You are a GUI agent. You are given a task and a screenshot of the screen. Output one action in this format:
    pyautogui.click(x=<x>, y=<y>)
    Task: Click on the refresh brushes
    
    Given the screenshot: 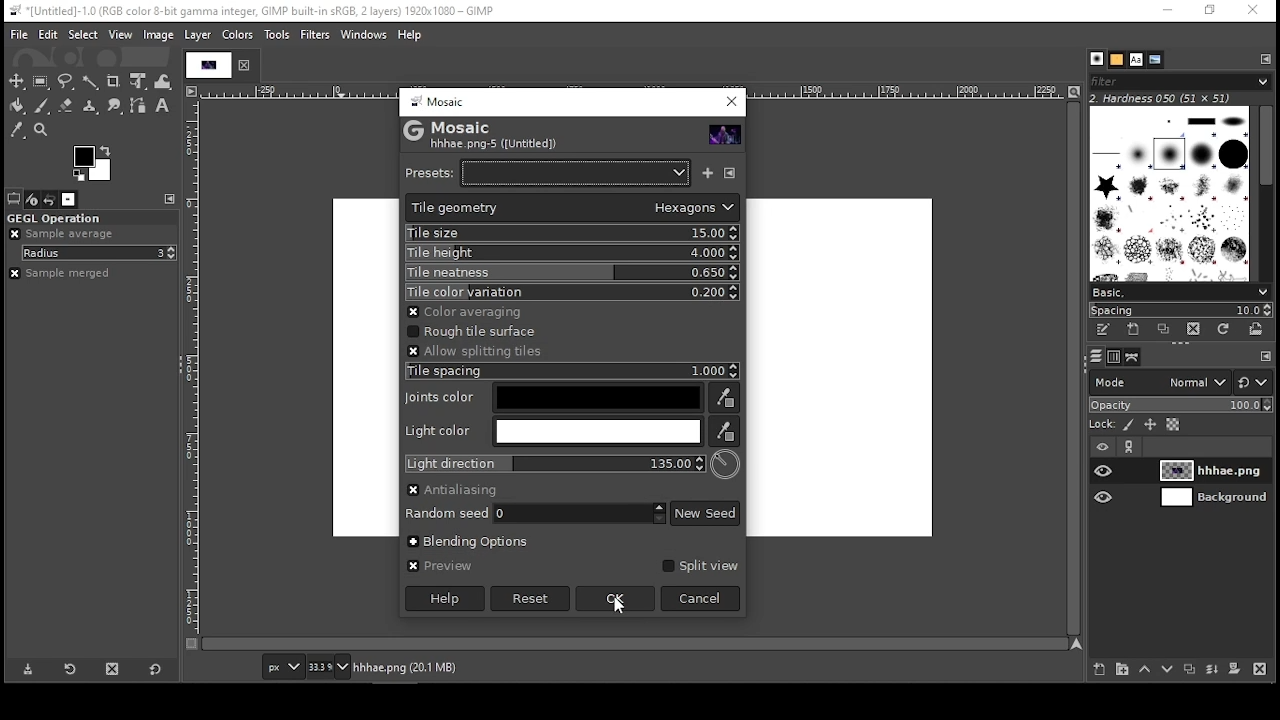 What is the action you would take?
    pyautogui.click(x=1223, y=331)
    